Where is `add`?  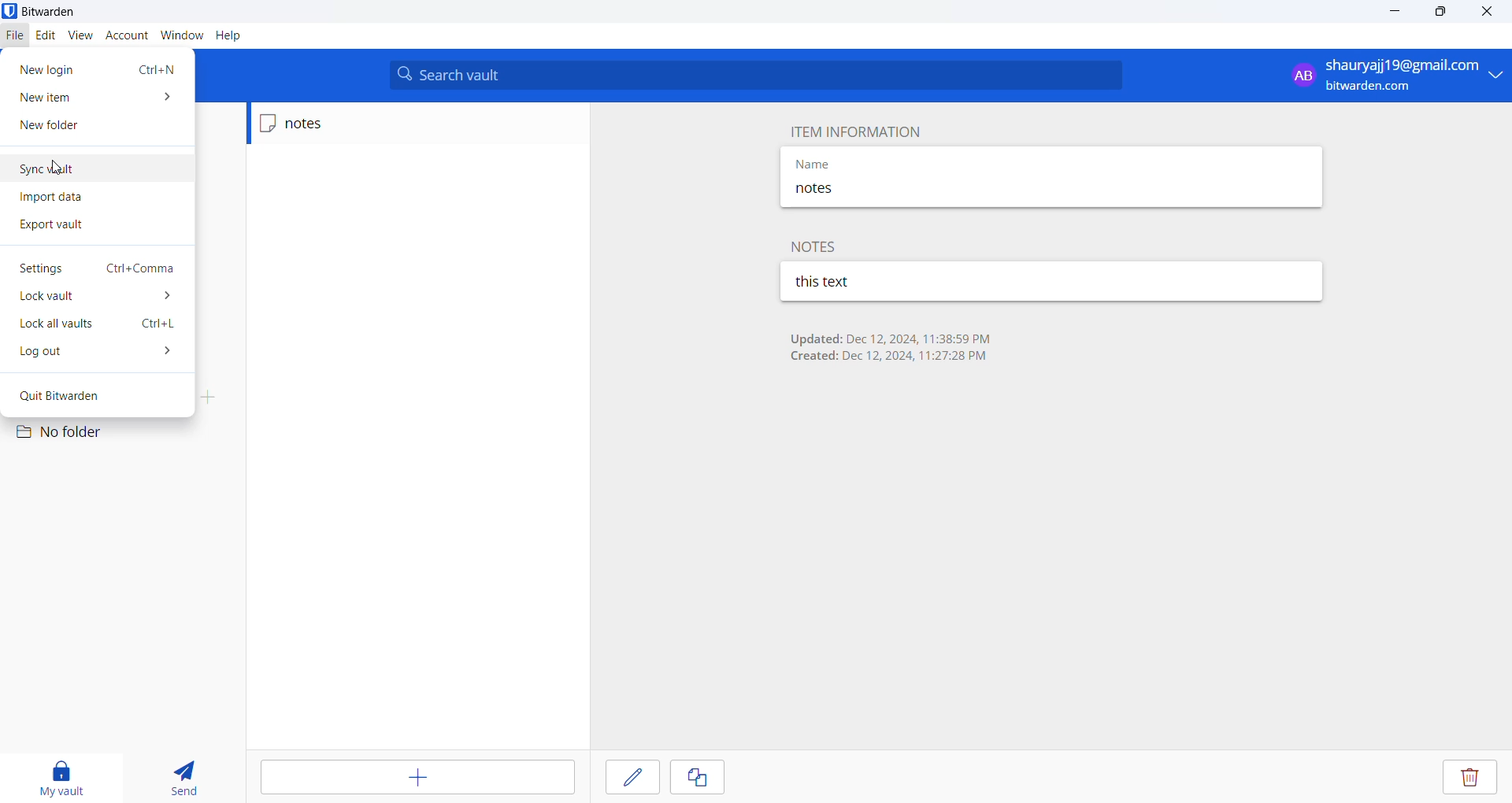 add is located at coordinates (420, 778).